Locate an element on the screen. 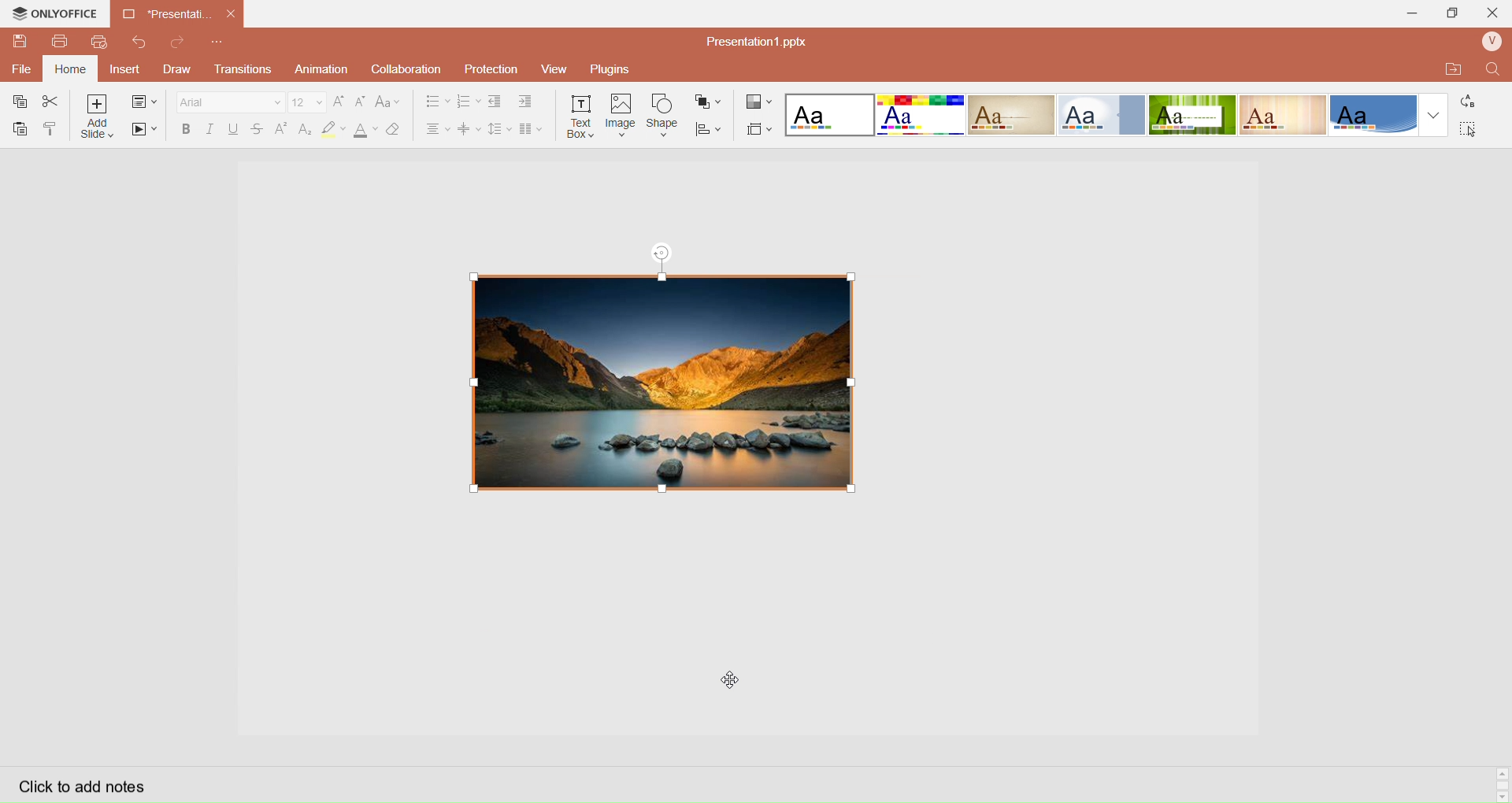 This screenshot has width=1512, height=803. Copy is located at coordinates (20, 102).